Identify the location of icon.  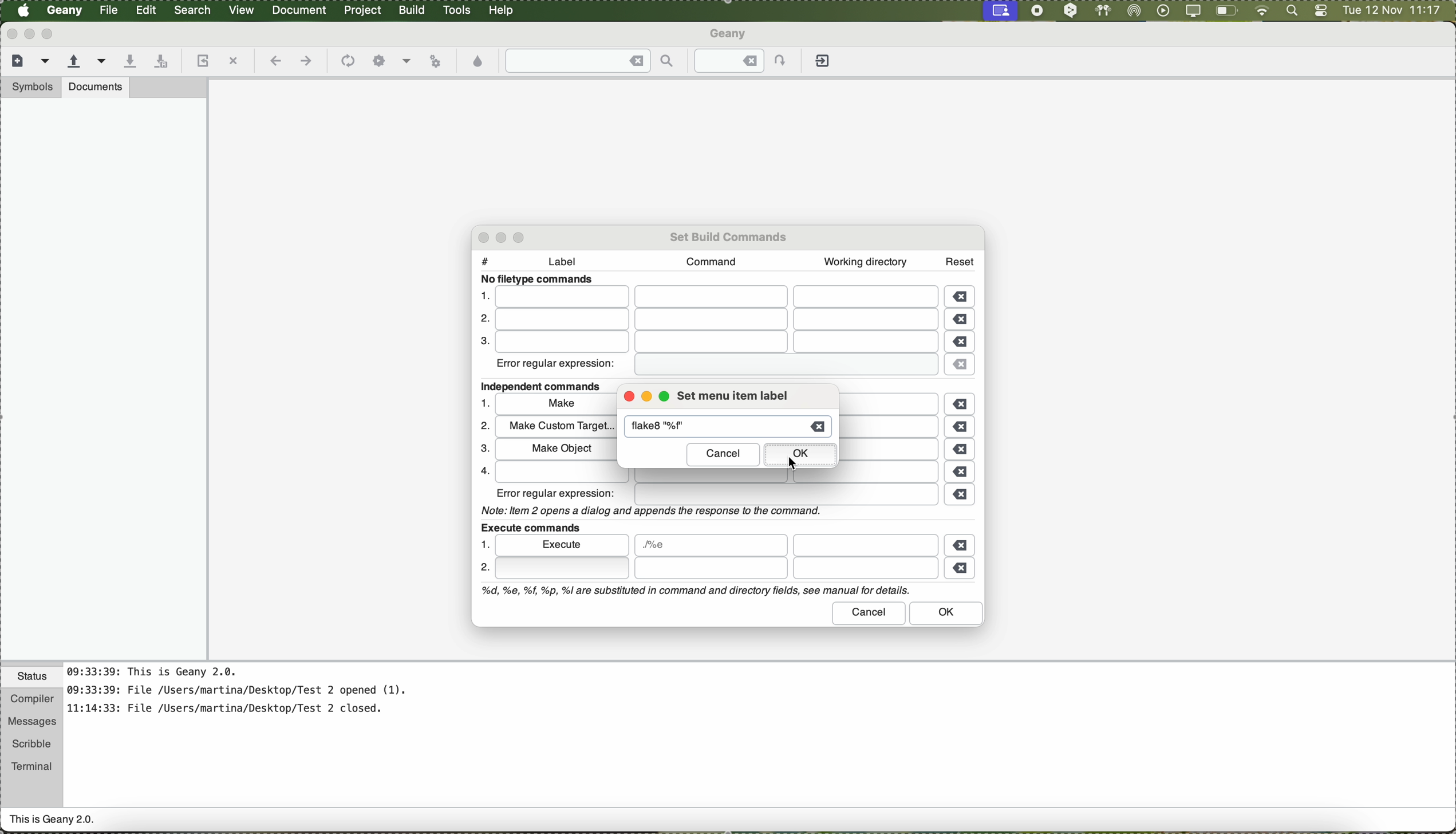
(407, 62).